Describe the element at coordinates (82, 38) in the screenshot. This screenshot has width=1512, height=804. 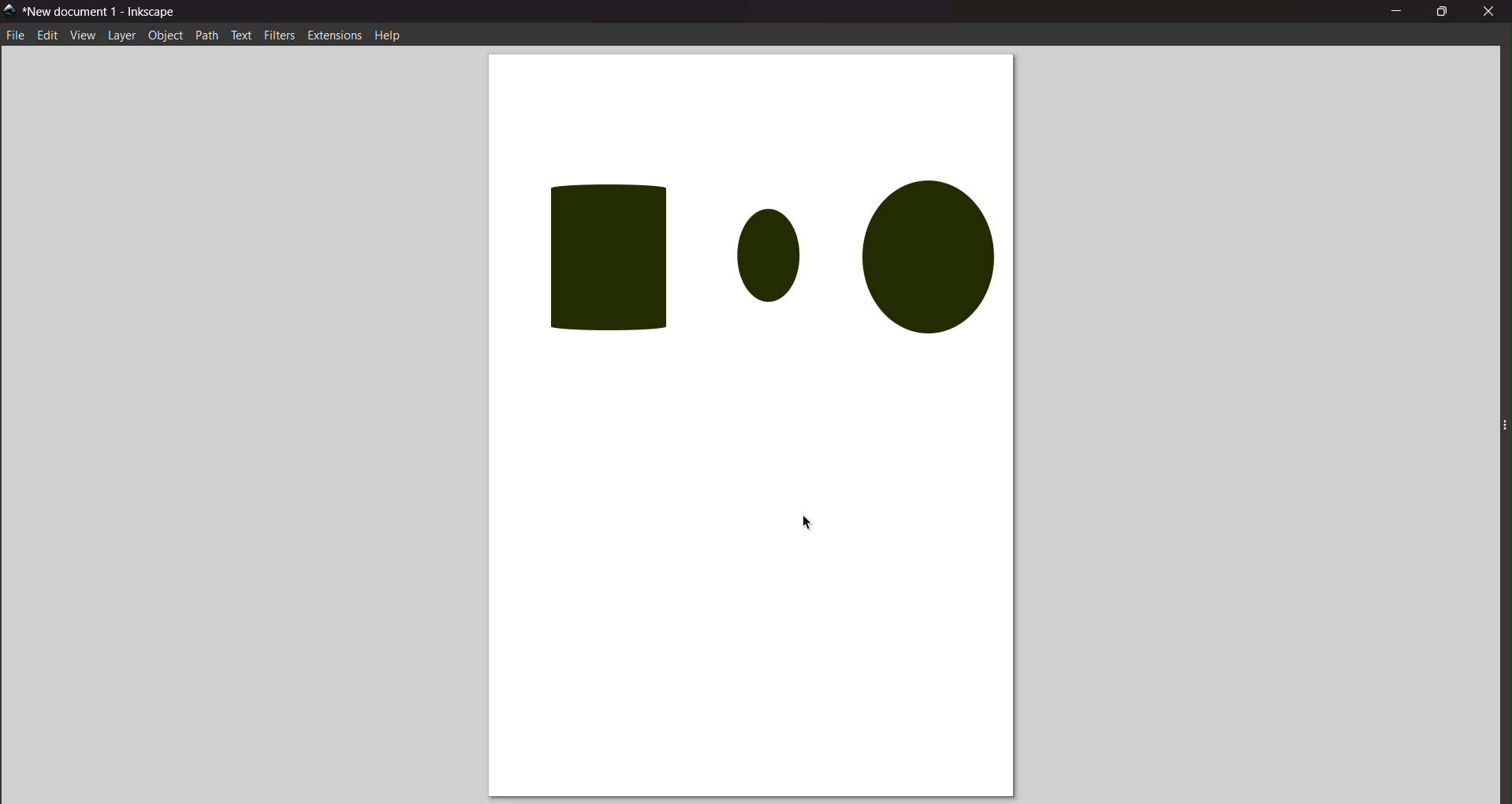
I see `view` at that location.